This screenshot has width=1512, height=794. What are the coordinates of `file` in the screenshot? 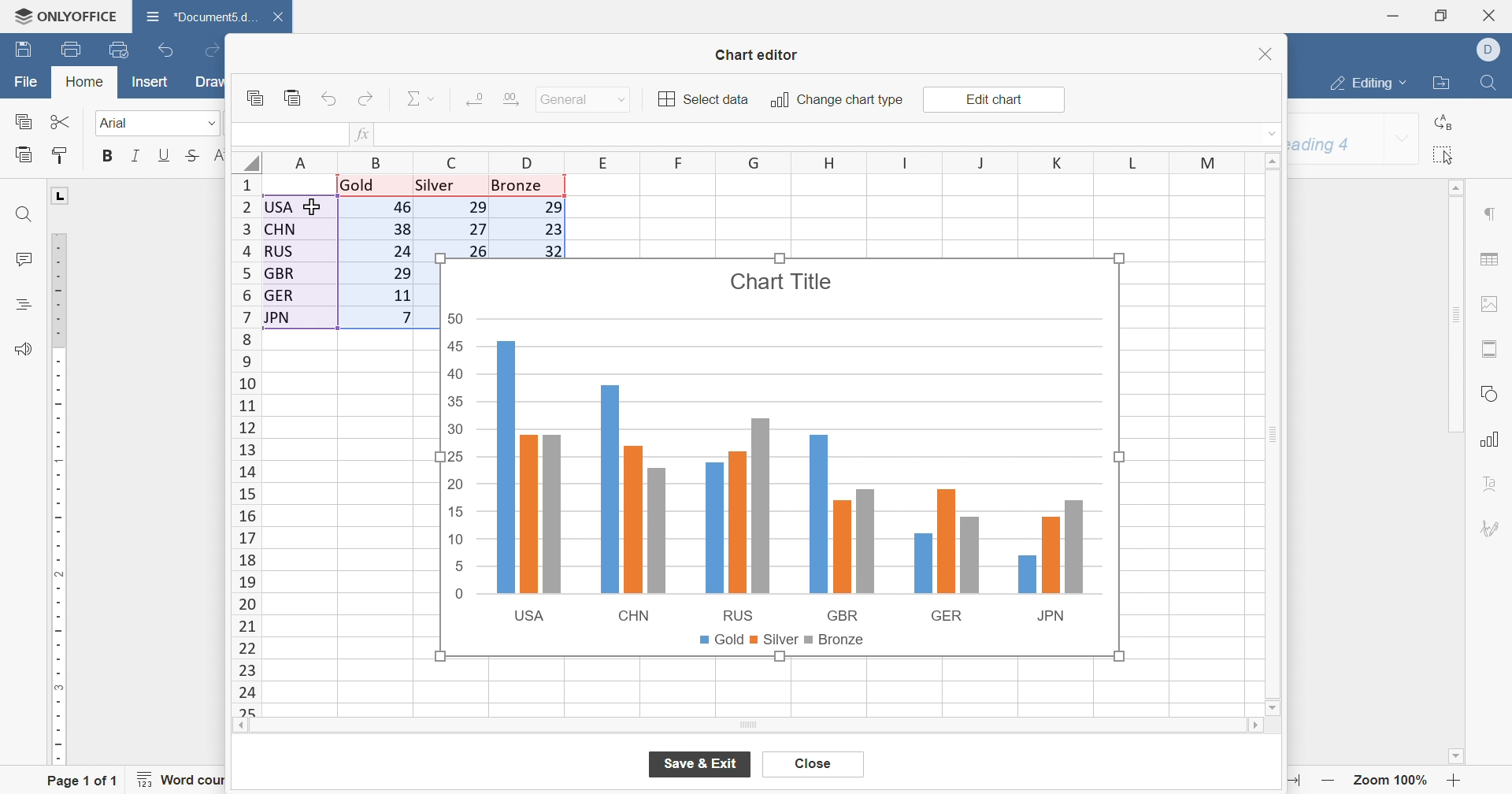 It's located at (26, 82).